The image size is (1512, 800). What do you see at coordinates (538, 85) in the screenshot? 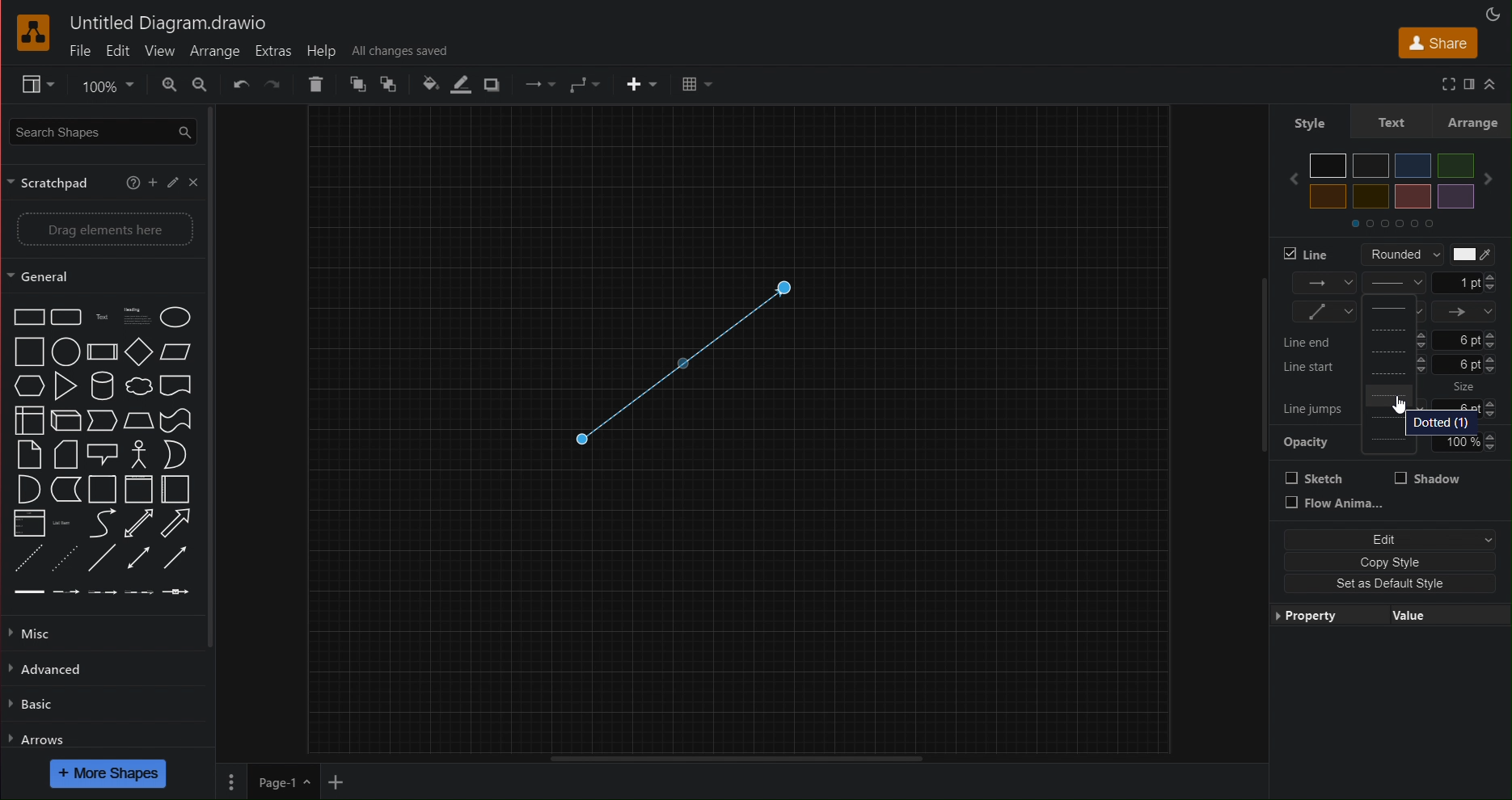
I see `Waypoint` at bounding box center [538, 85].